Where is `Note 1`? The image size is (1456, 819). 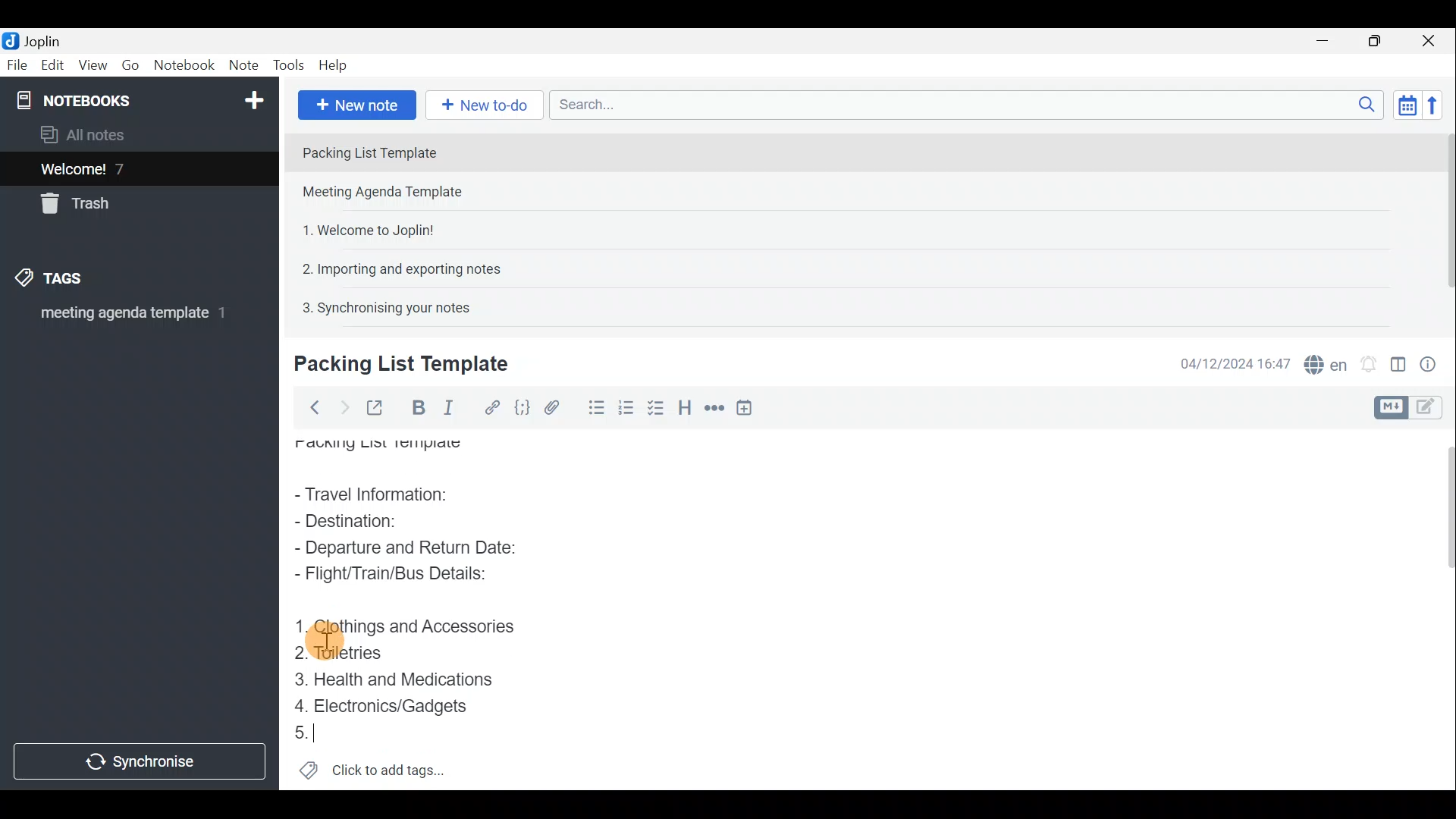 Note 1 is located at coordinates (424, 151).